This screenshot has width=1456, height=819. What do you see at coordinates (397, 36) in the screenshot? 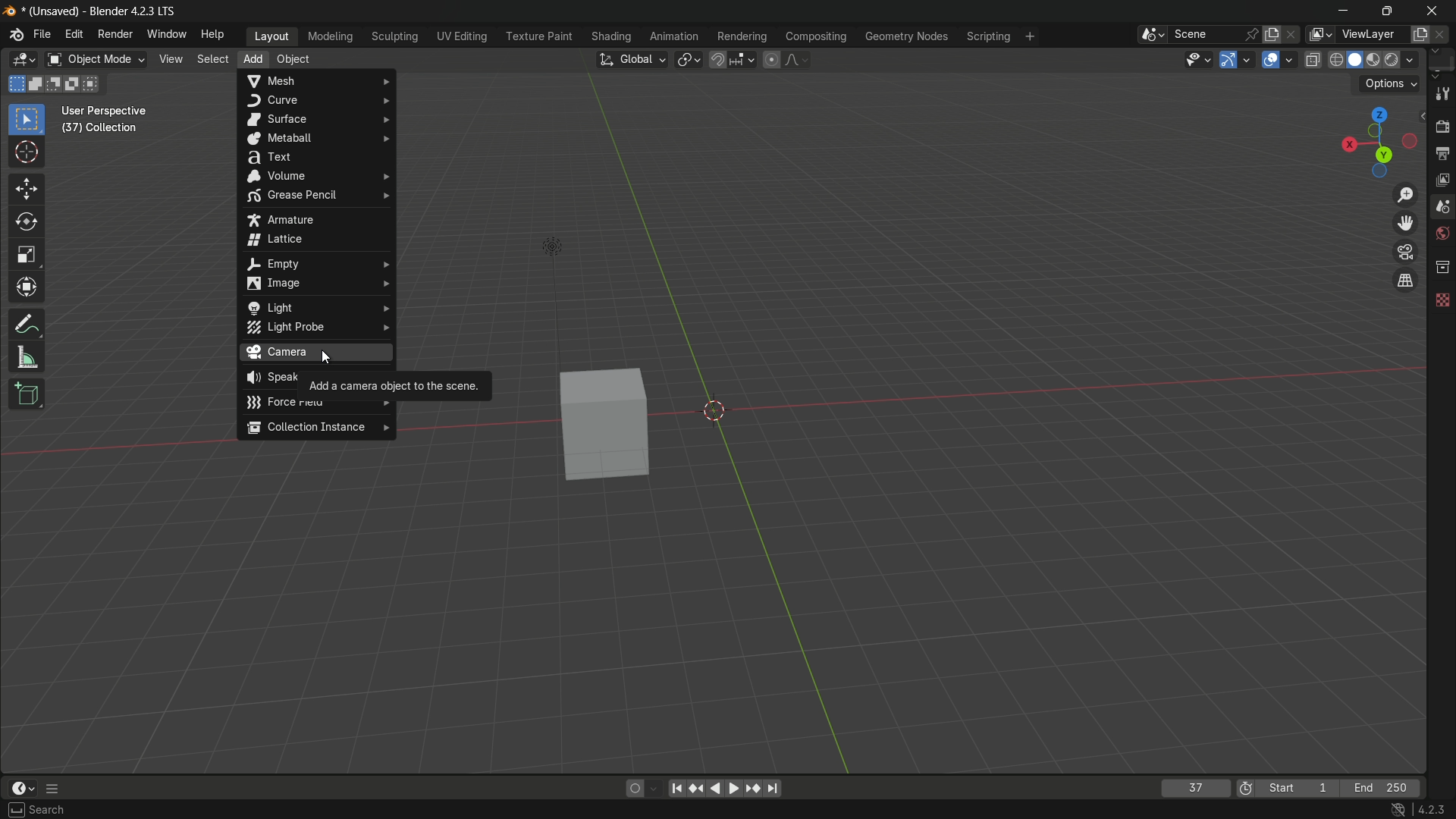
I see `sculpting menu` at bounding box center [397, 36].